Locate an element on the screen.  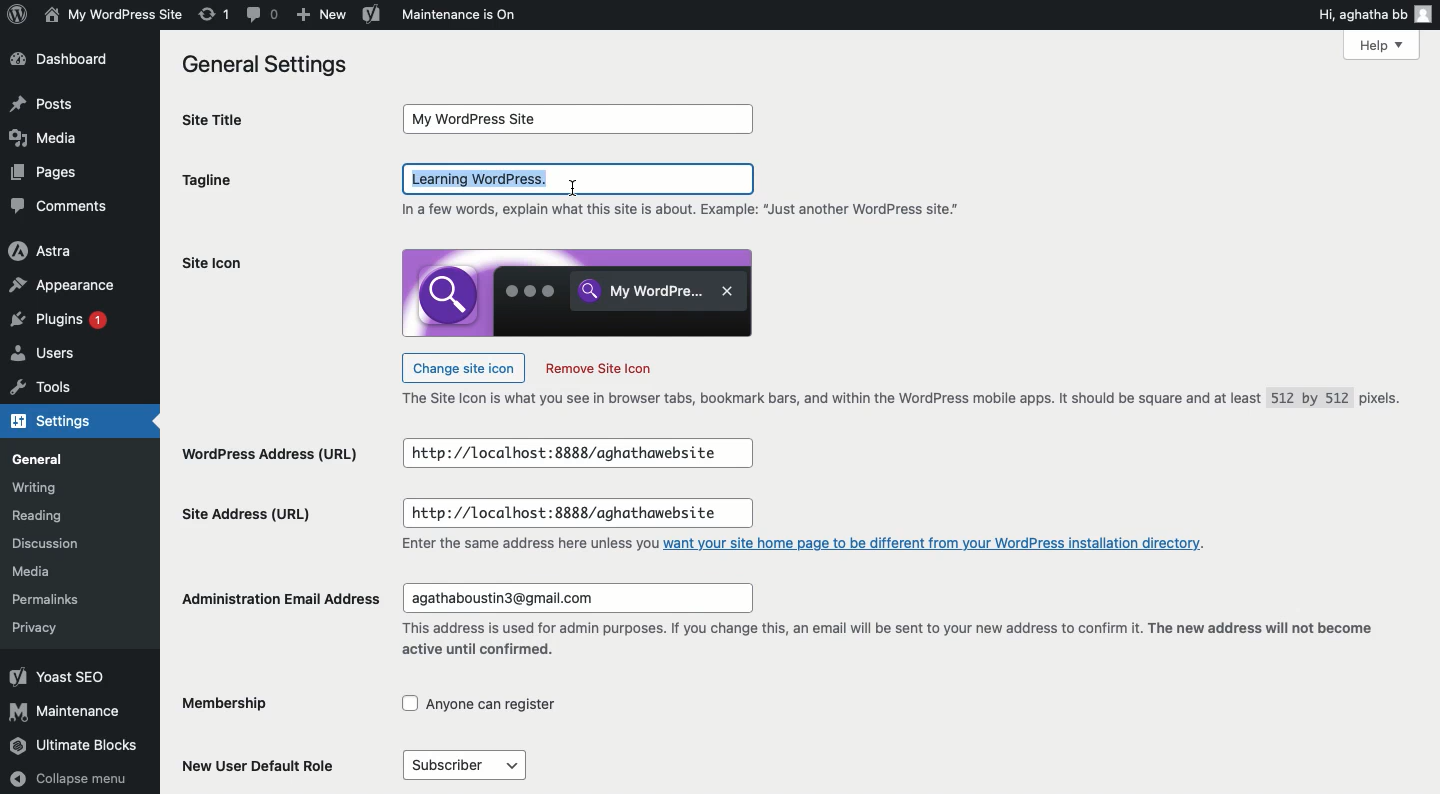
Text is located at coordinates (909, 400).